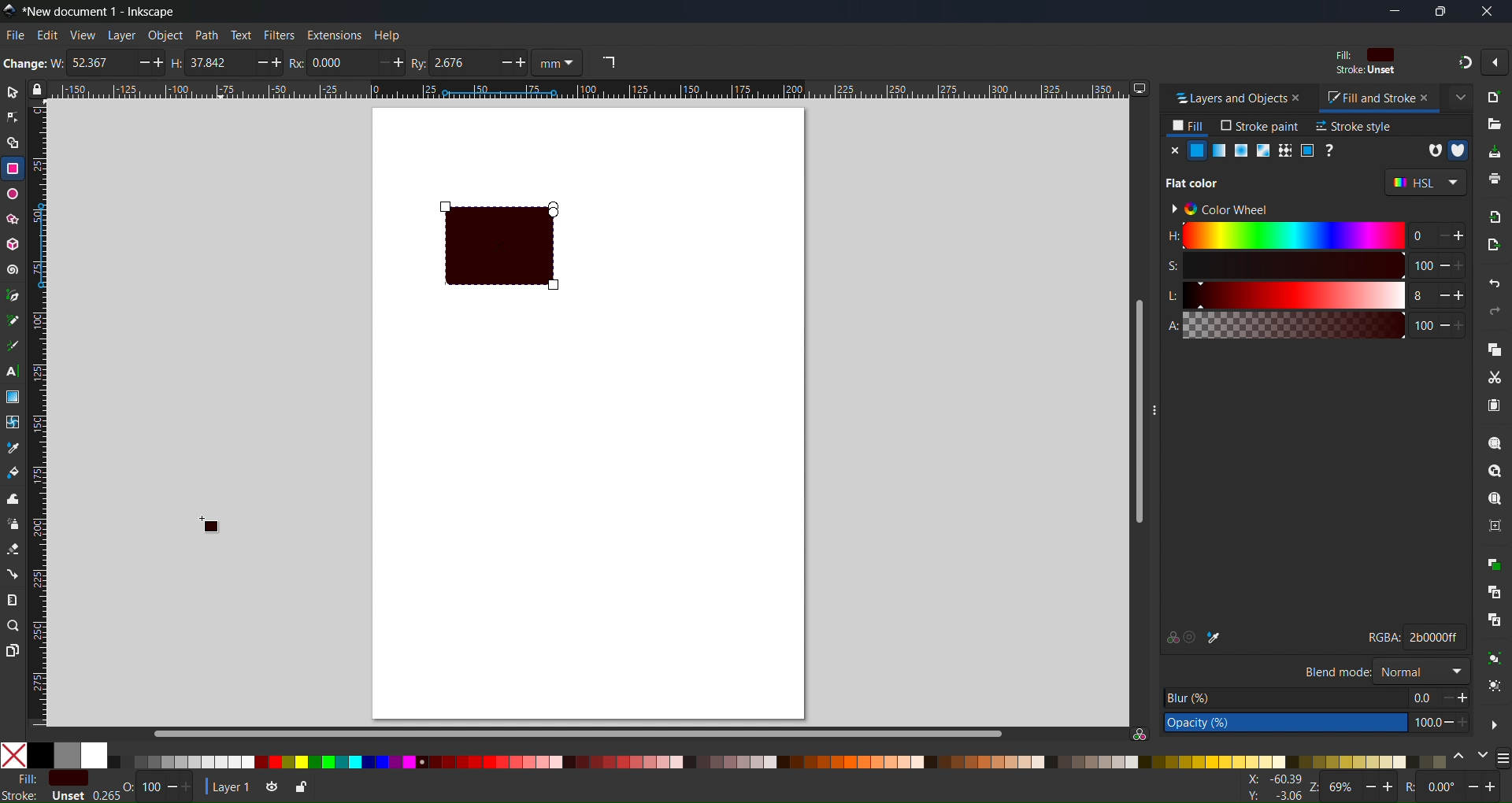 The width and height of the screenshot is (1512, 803). Describe the element at coordinates (1439, 11) in the screenshot. I see `Maximize` at that location.